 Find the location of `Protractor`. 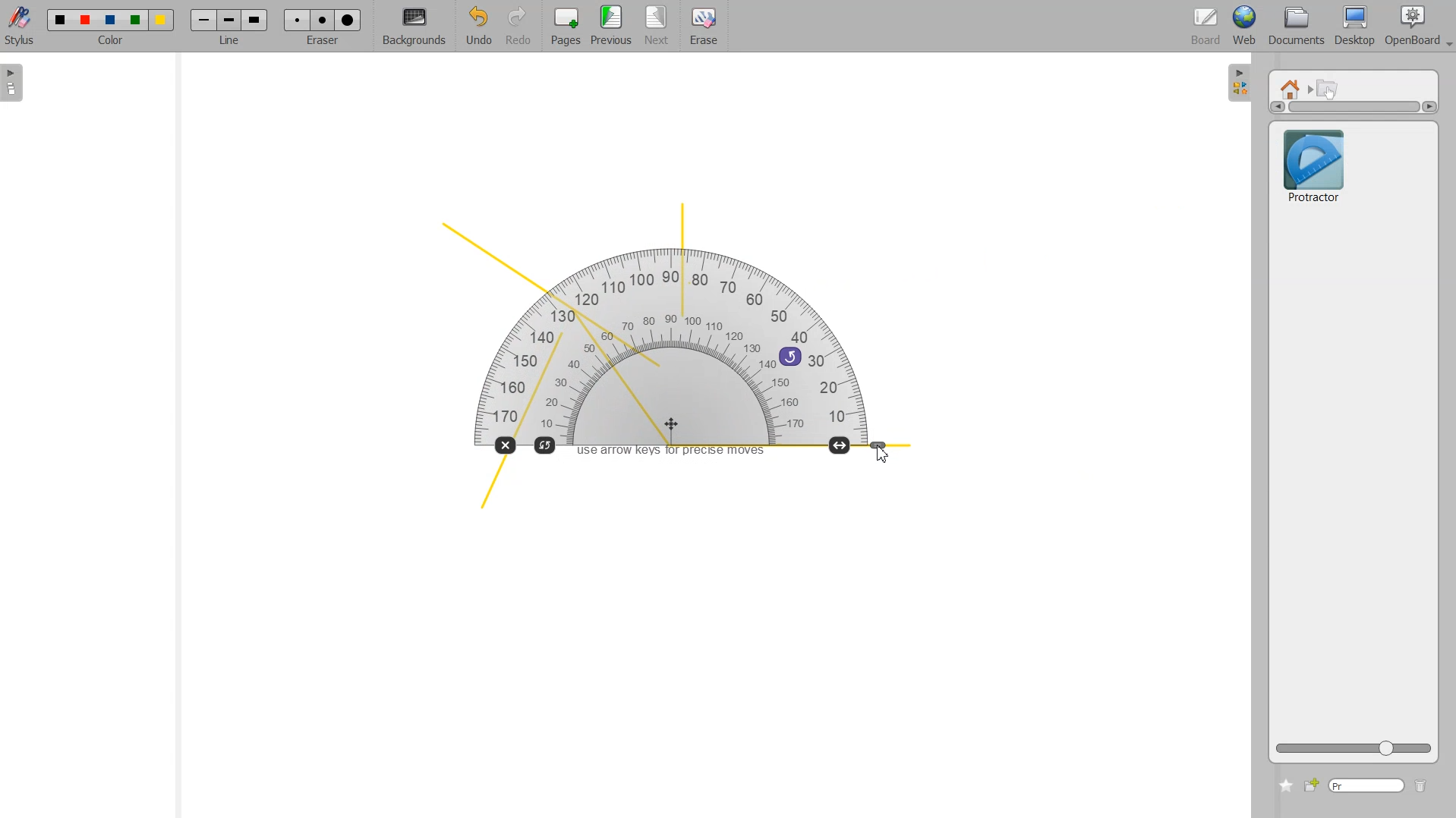

Protractor is located at coordinates (682, 344).